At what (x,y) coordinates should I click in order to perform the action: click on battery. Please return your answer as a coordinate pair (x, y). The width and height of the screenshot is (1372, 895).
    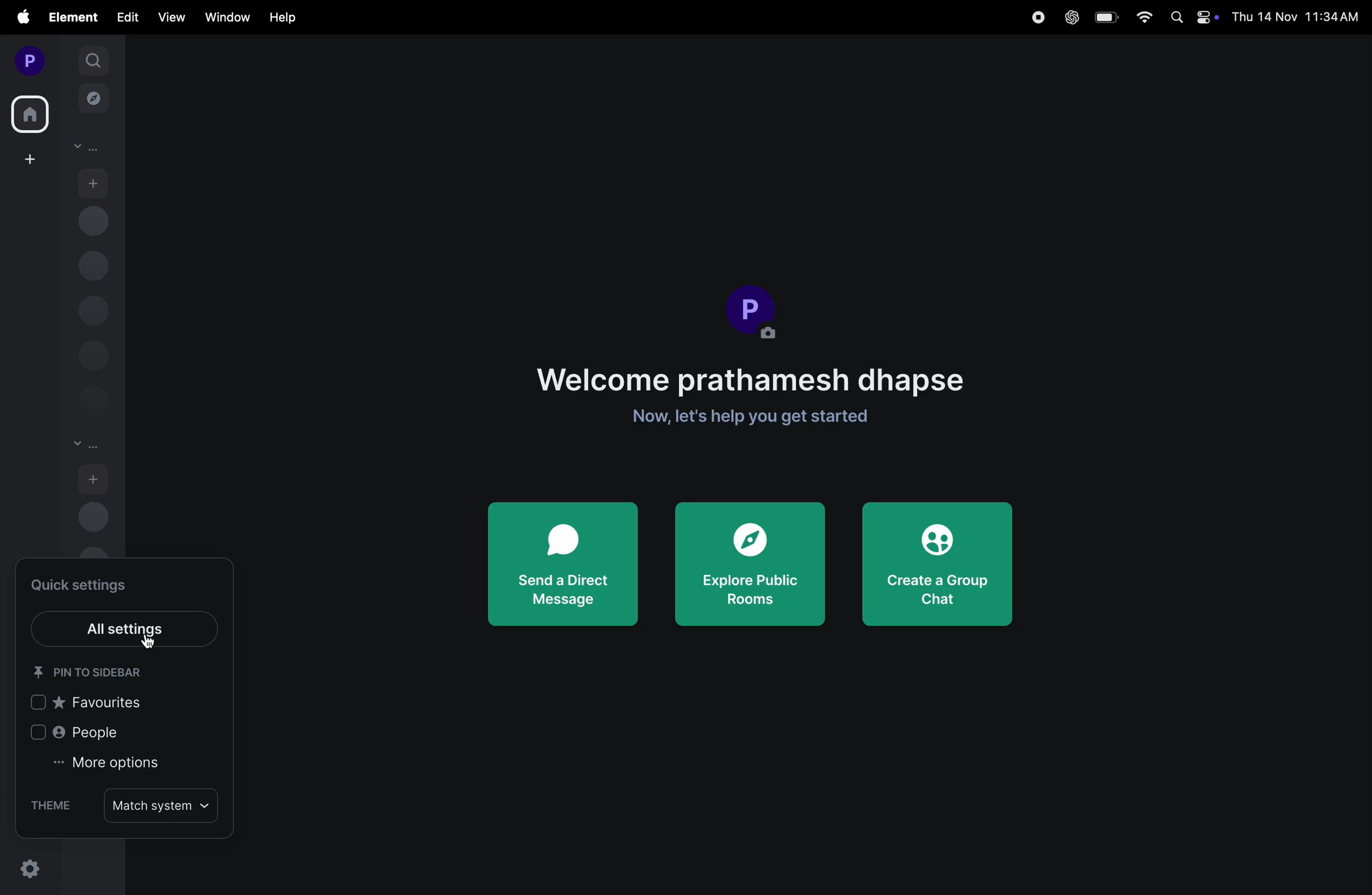
    Looking at the image, I should click on (1105, 17).